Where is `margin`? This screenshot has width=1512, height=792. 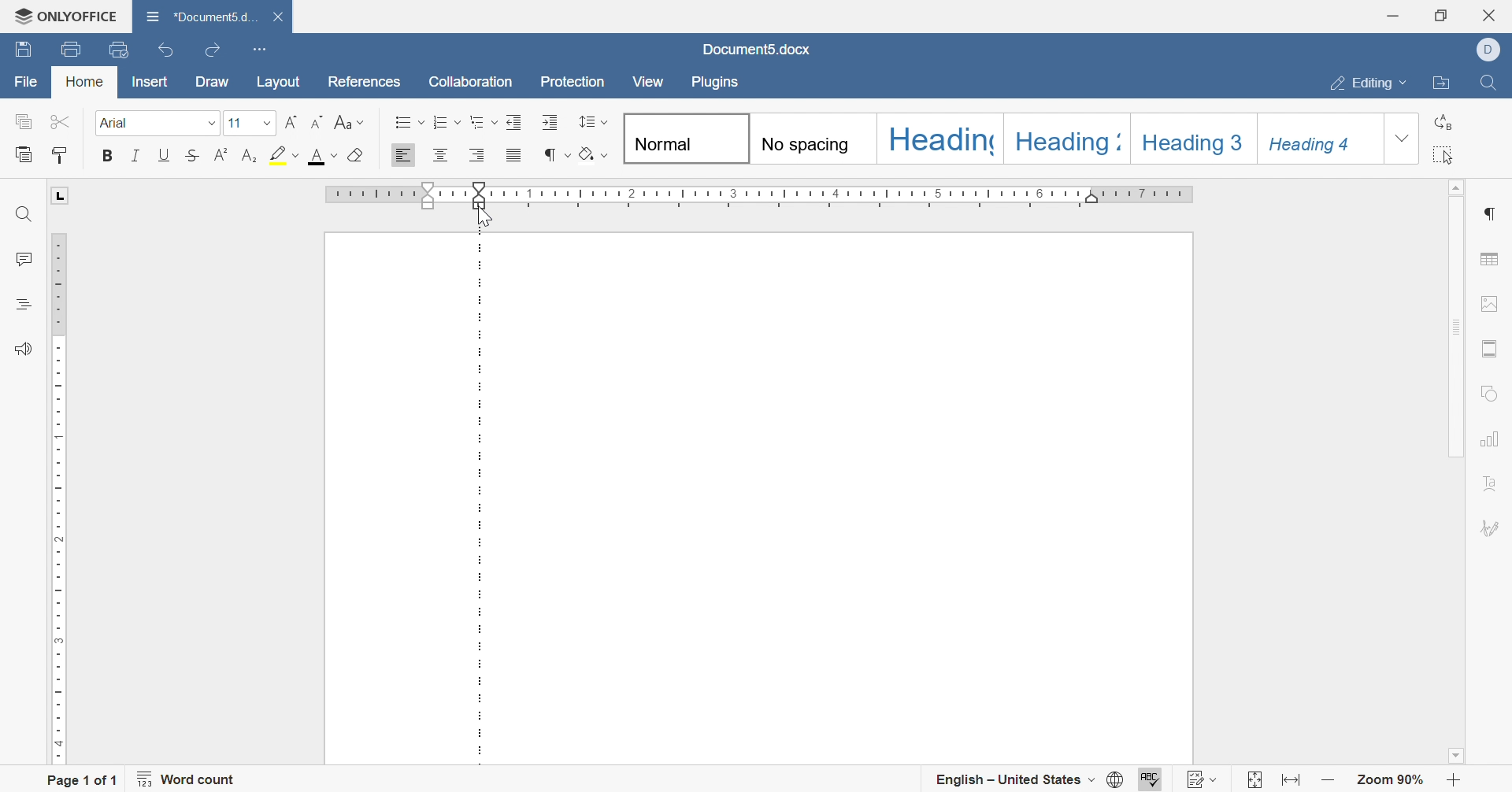 margin is located at coordinates (481, 499).